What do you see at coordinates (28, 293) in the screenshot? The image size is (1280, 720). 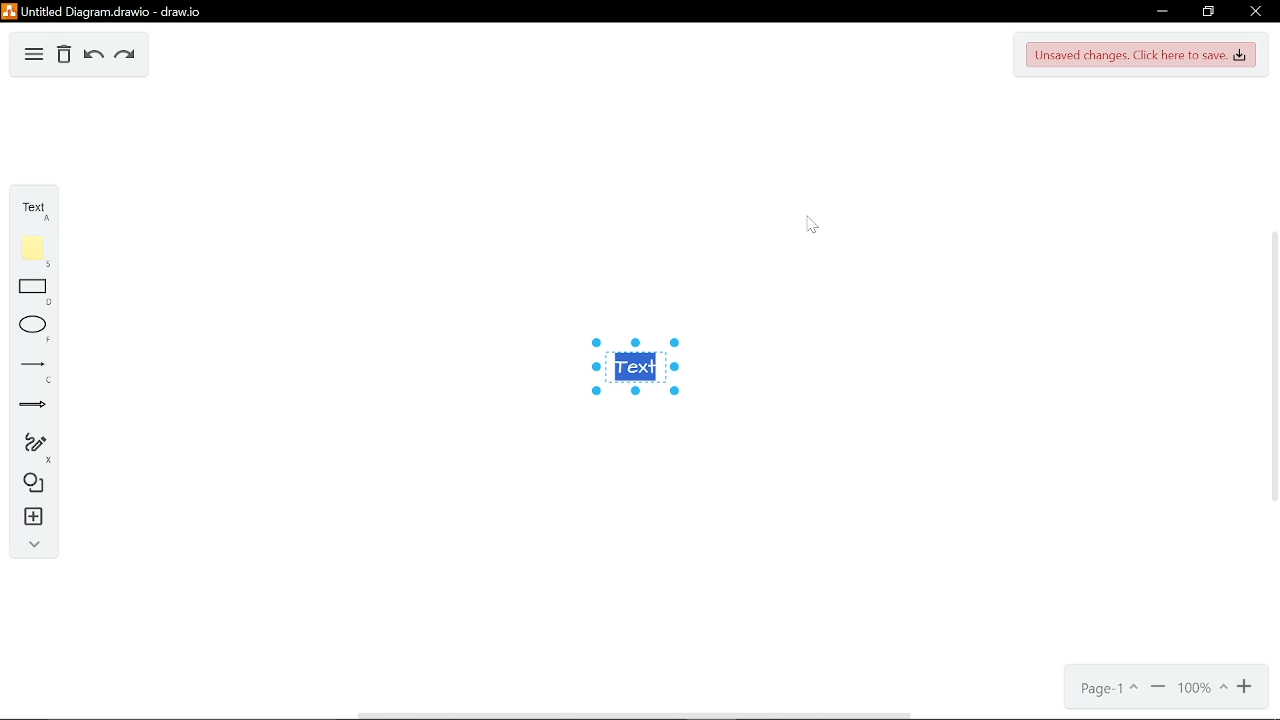 I see `Rectangle` at bounding box center [28, 293].